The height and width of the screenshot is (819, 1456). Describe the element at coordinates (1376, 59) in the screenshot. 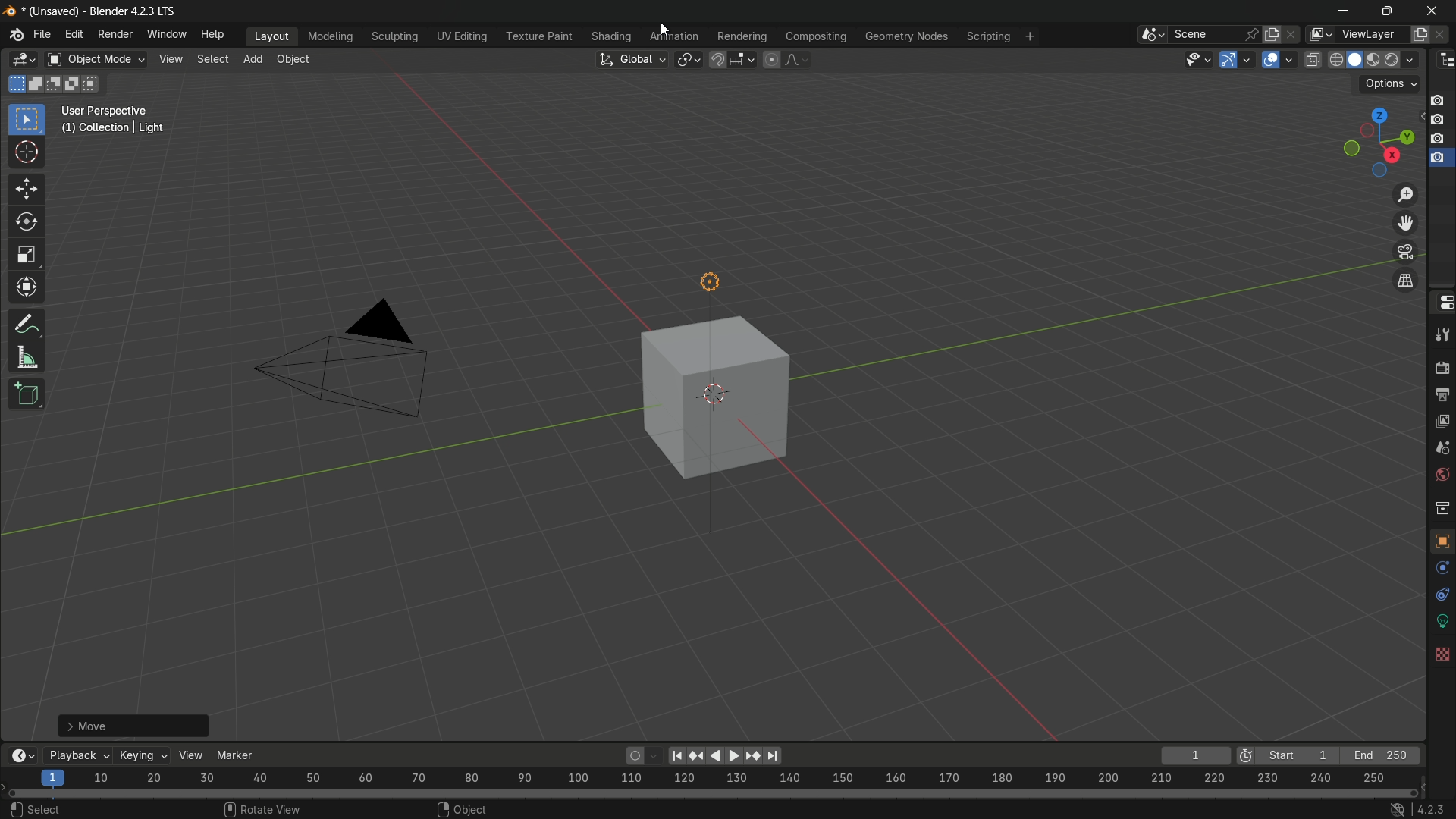

I see `material preview` at that location.